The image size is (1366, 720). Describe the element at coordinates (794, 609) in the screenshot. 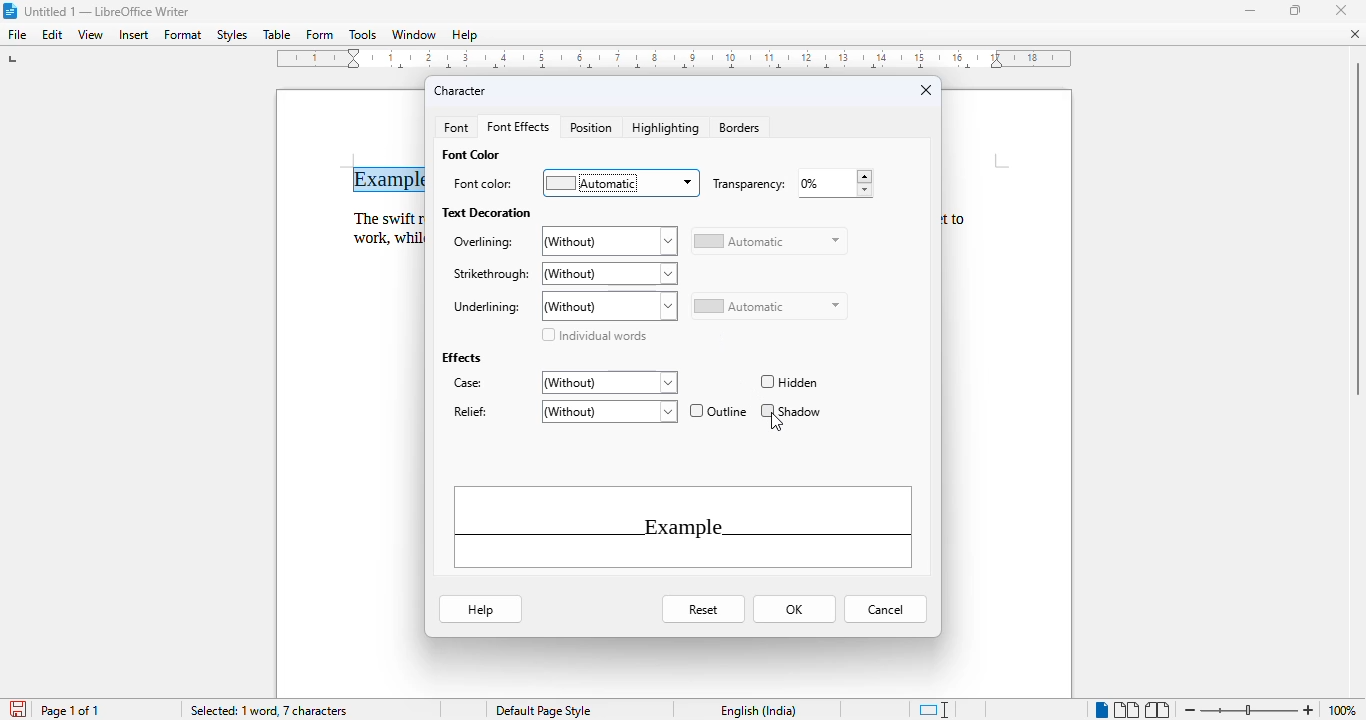

I see `OK` at that location.